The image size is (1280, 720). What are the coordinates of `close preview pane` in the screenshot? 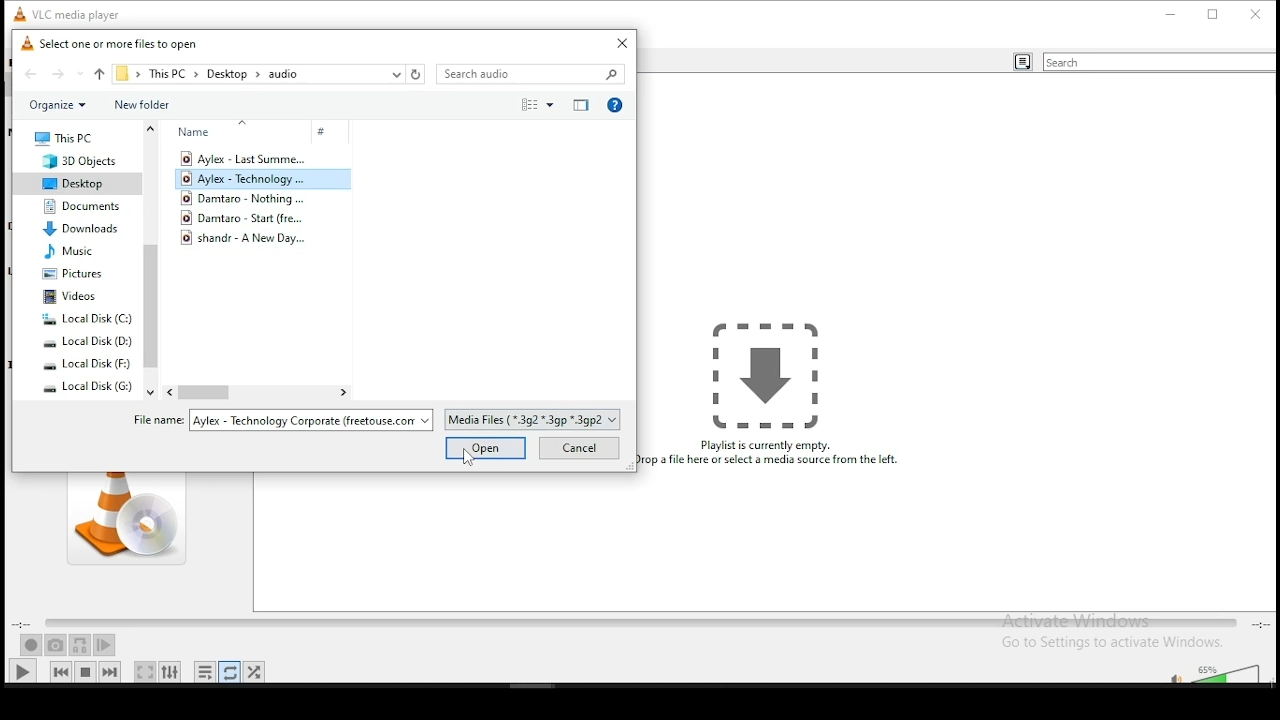 It's located at (580, 103).